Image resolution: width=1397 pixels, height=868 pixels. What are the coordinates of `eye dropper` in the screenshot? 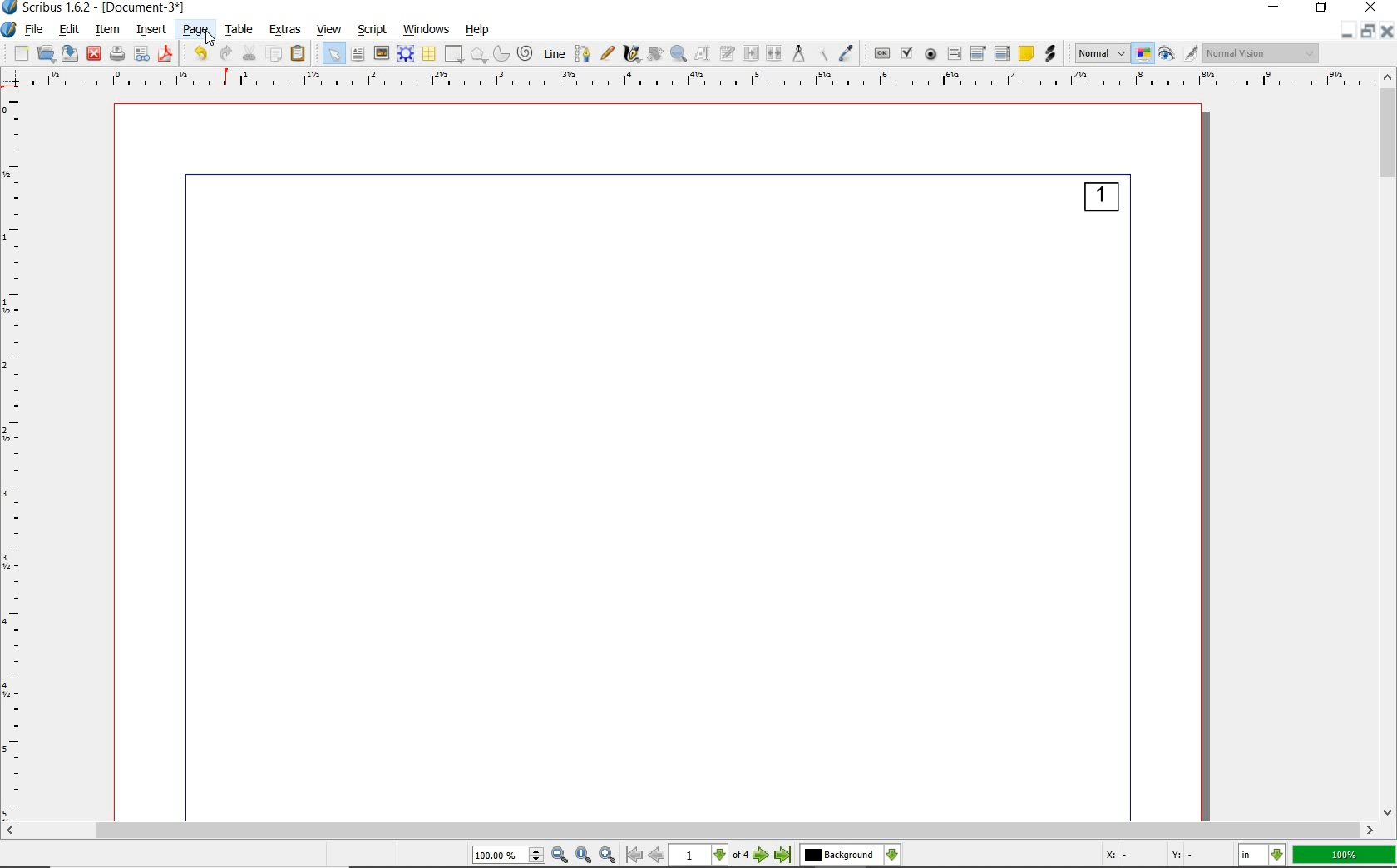 It's located at (848, 54).